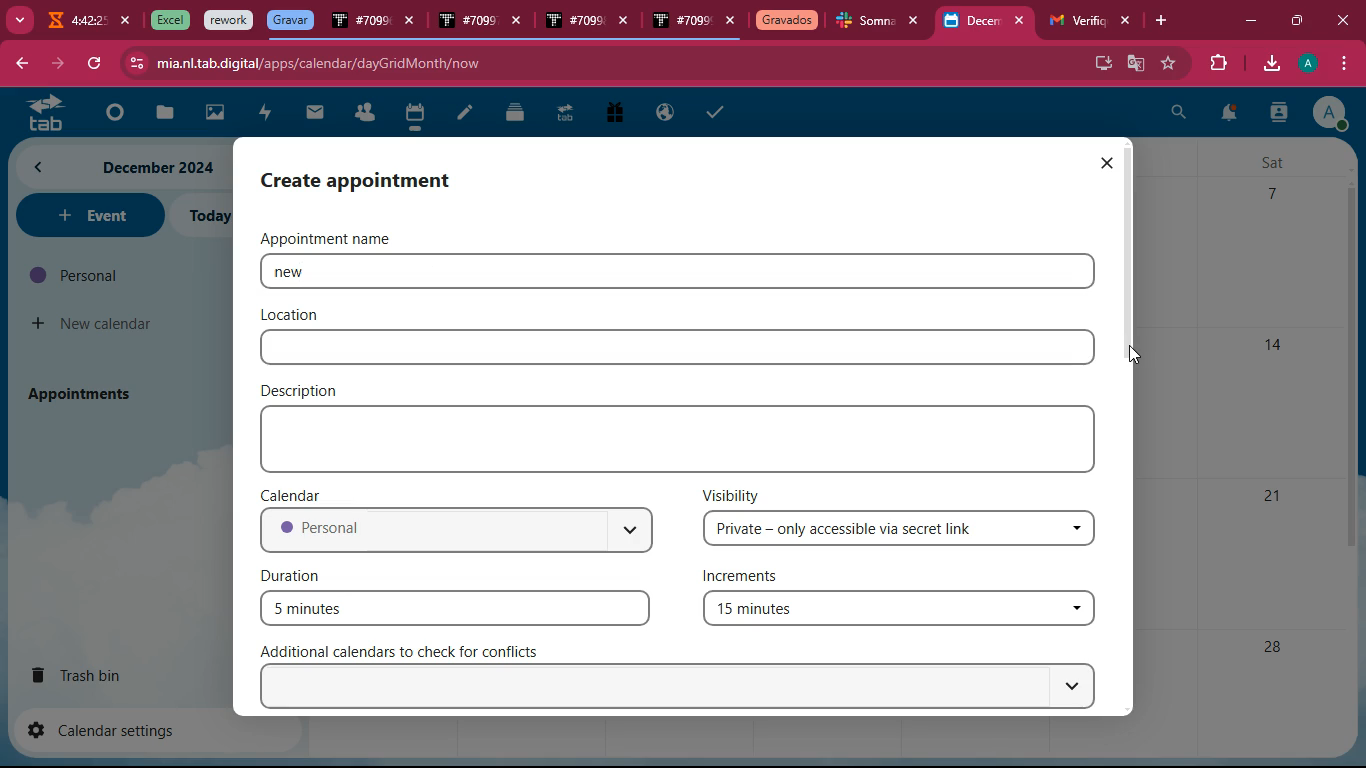 The width and height of the screenshot is (1366, 768). What do you see at coordinates (1138, 355) in the screenshot?
I see `cursor` at bounding box center [1138, 355].